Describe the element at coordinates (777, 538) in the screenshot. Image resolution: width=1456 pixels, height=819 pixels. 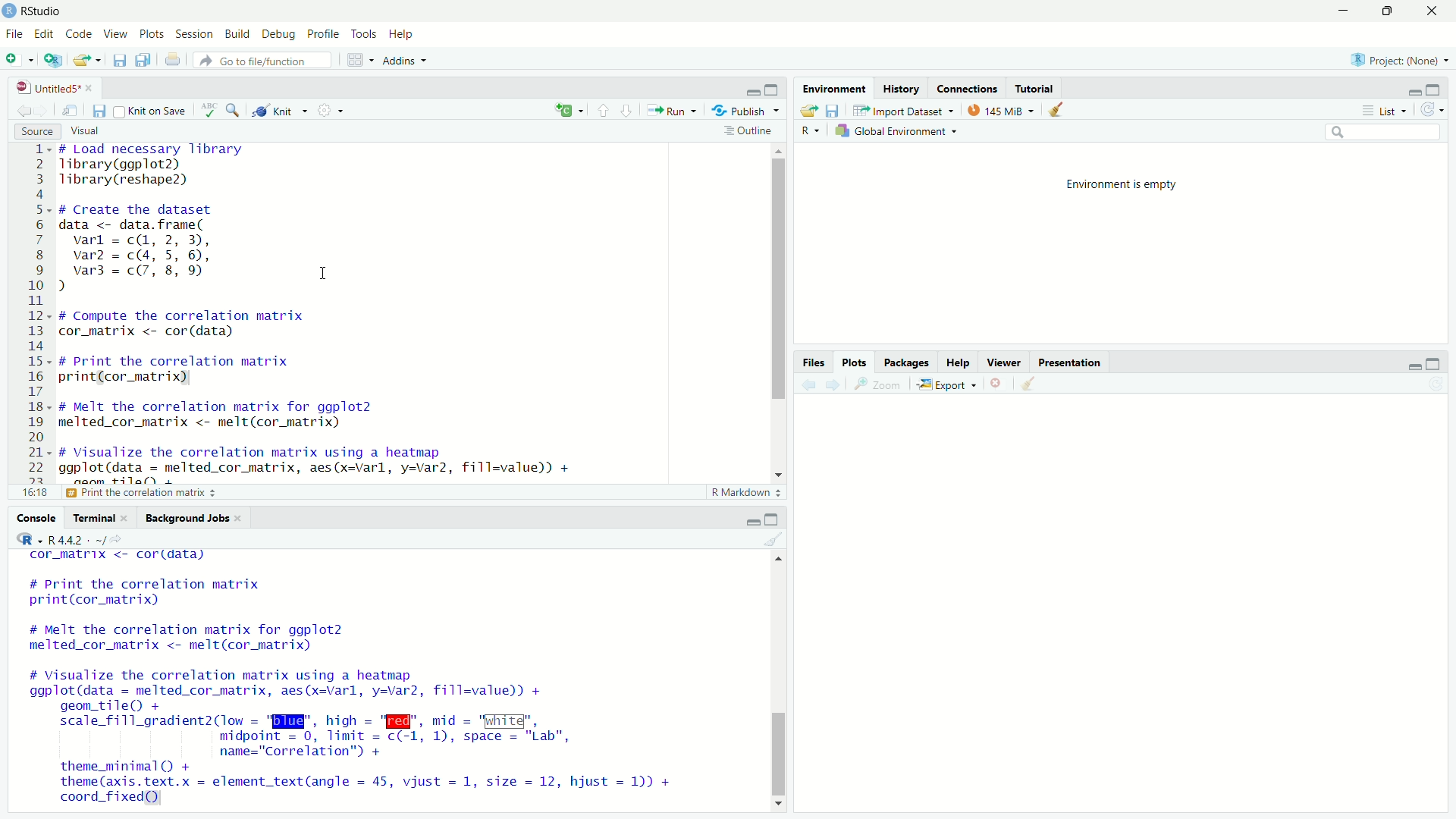
I see `clear console` at that location.